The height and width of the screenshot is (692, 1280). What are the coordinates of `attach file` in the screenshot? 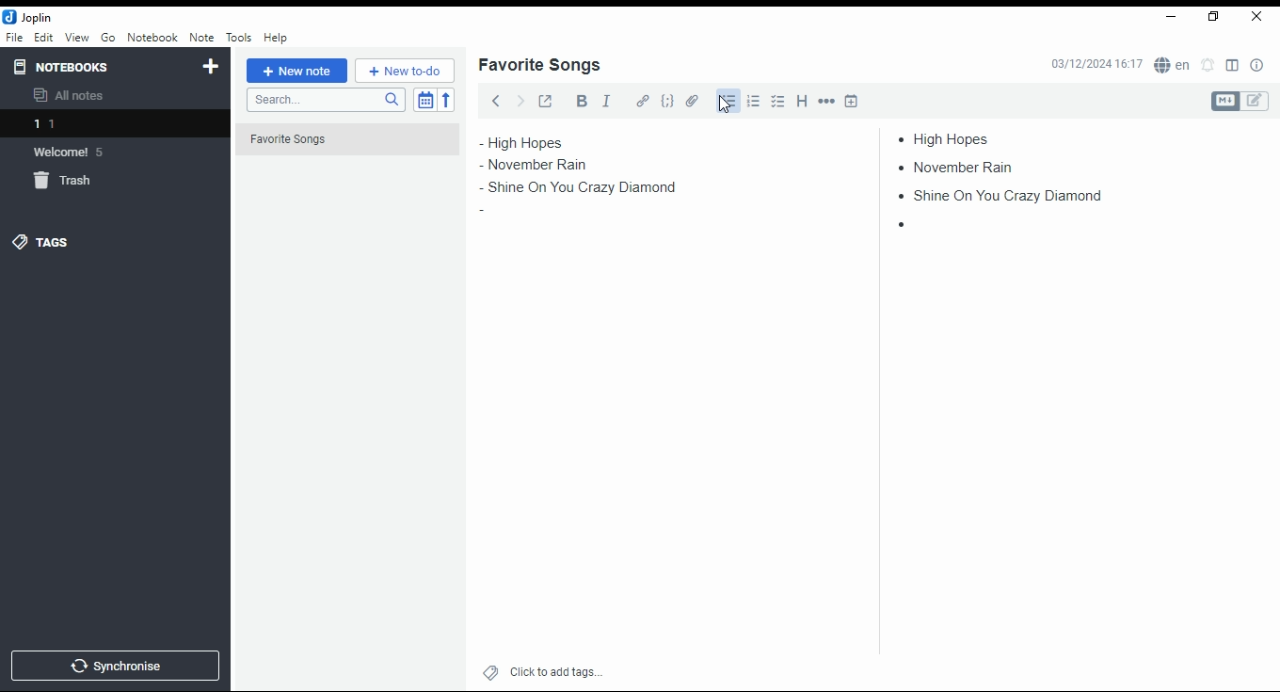 It's located at (693, 100).